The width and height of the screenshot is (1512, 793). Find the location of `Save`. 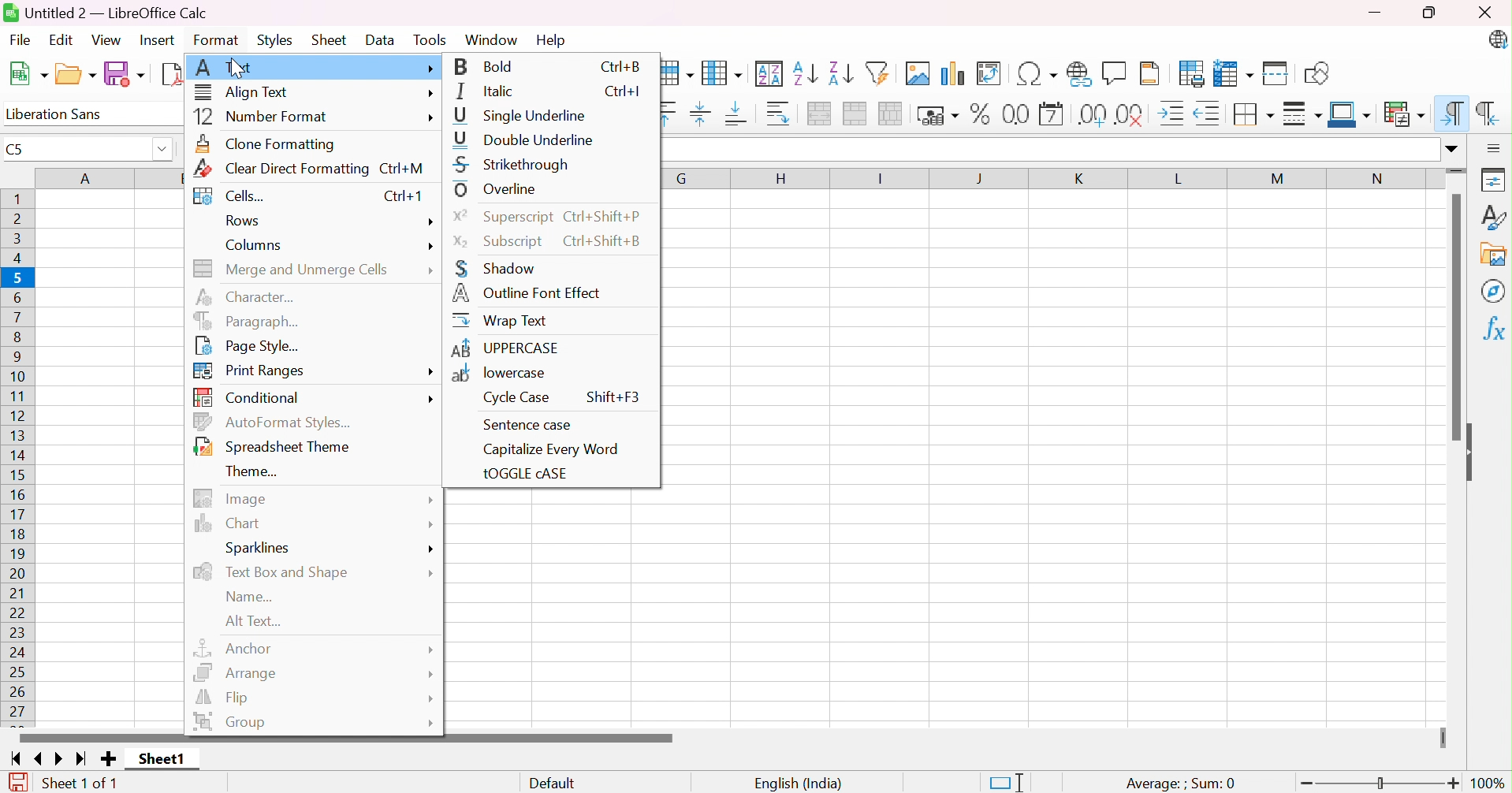

Save is located at coordinates (125, 74).